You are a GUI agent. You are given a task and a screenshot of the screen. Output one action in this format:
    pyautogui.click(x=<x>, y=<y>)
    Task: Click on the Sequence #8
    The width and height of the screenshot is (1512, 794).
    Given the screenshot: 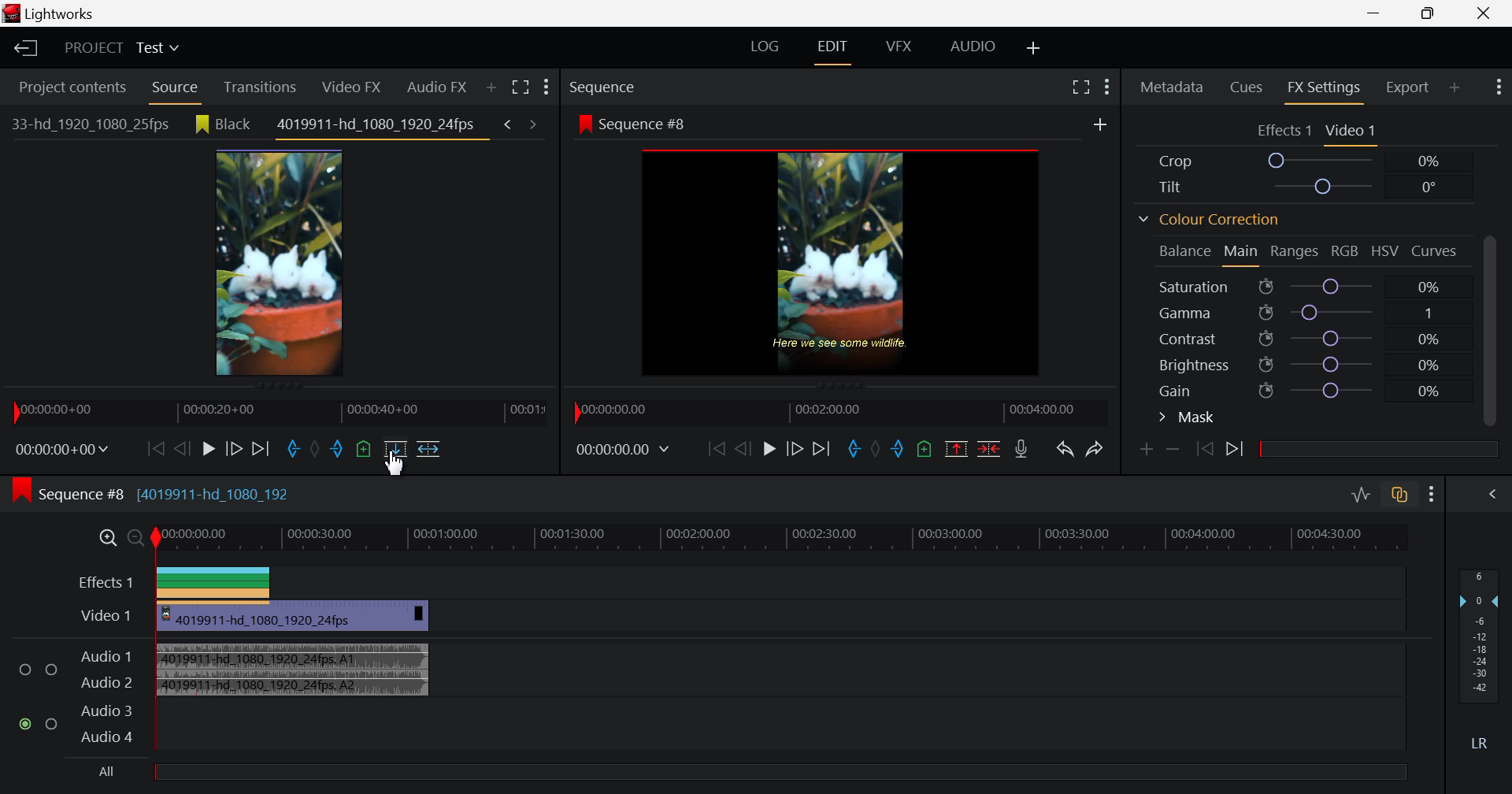 What is the action you would take?
    pyautogui.click(x=813, y=121)
    